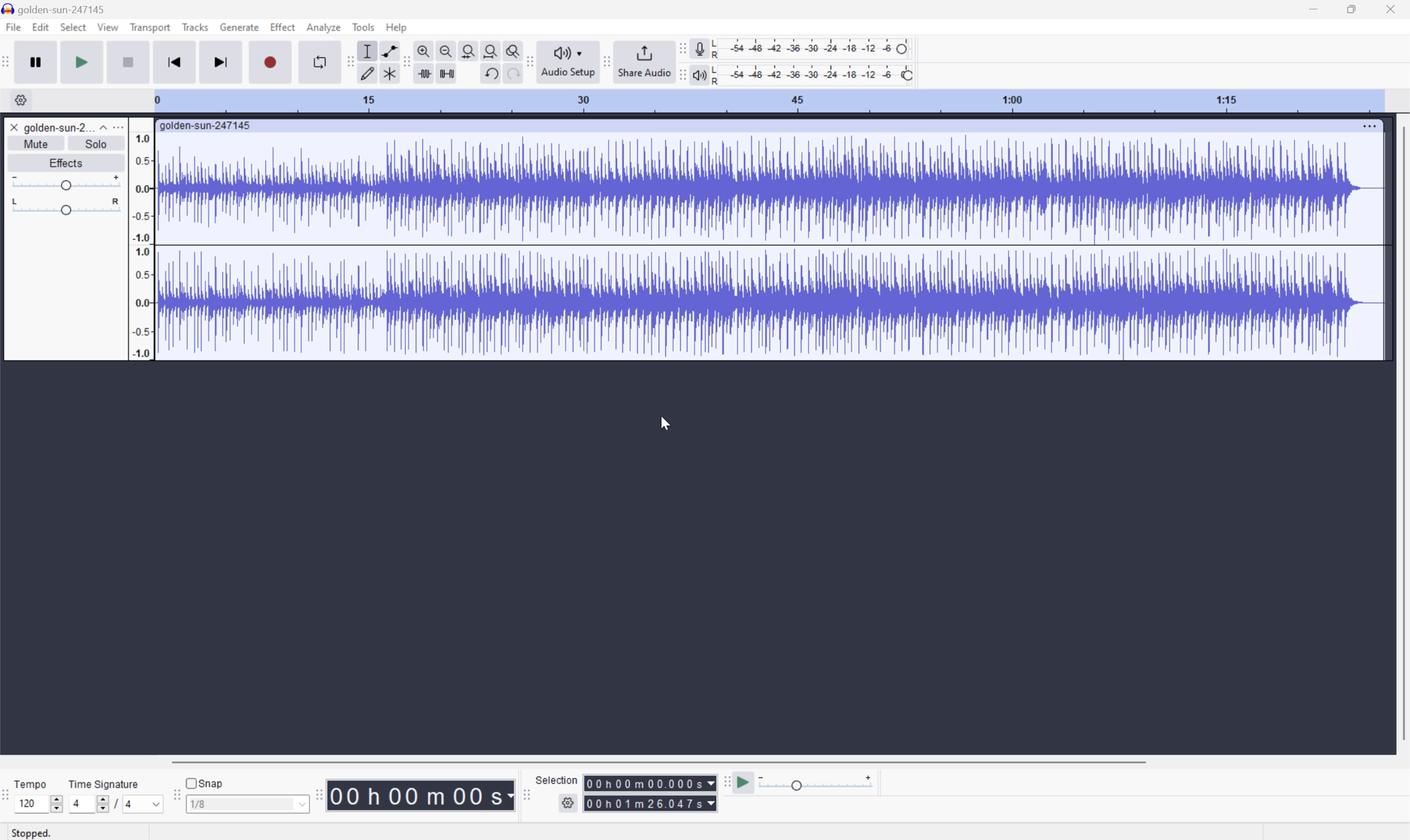  What do you see at coordinates (144, 804) in the screenshot?
I see `4` at bounding box center [144, 804].